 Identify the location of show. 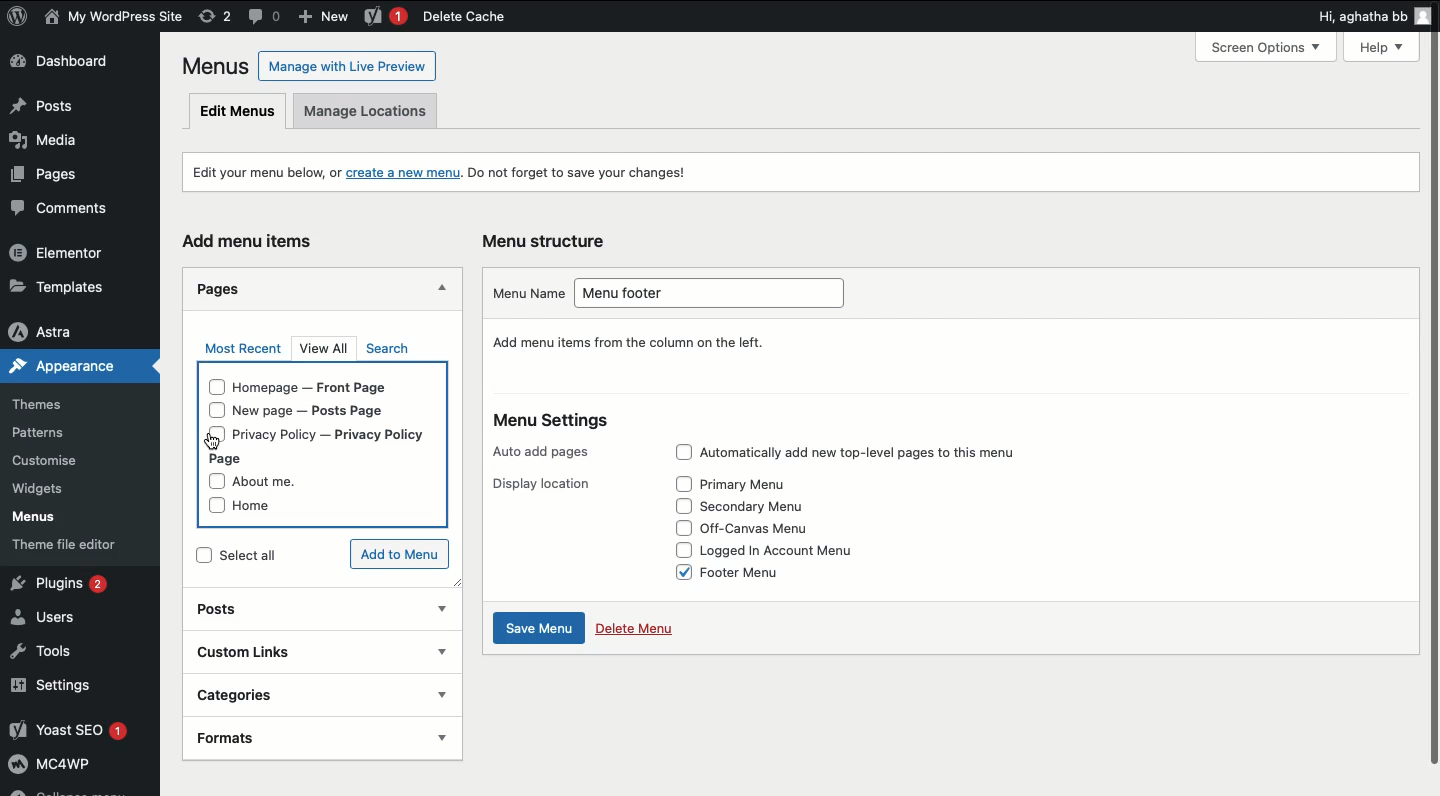
(441, 737).